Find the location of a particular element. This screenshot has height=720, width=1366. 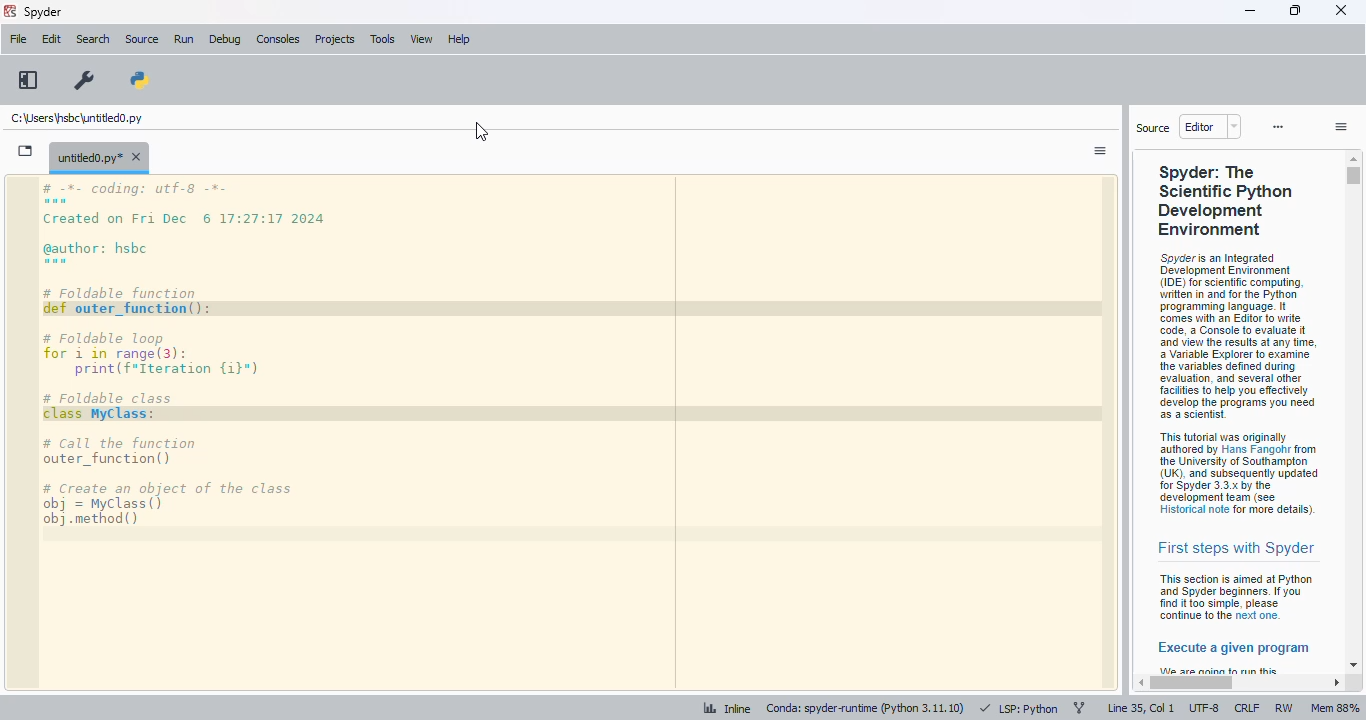

spyder is located at coordinates (43, 12).